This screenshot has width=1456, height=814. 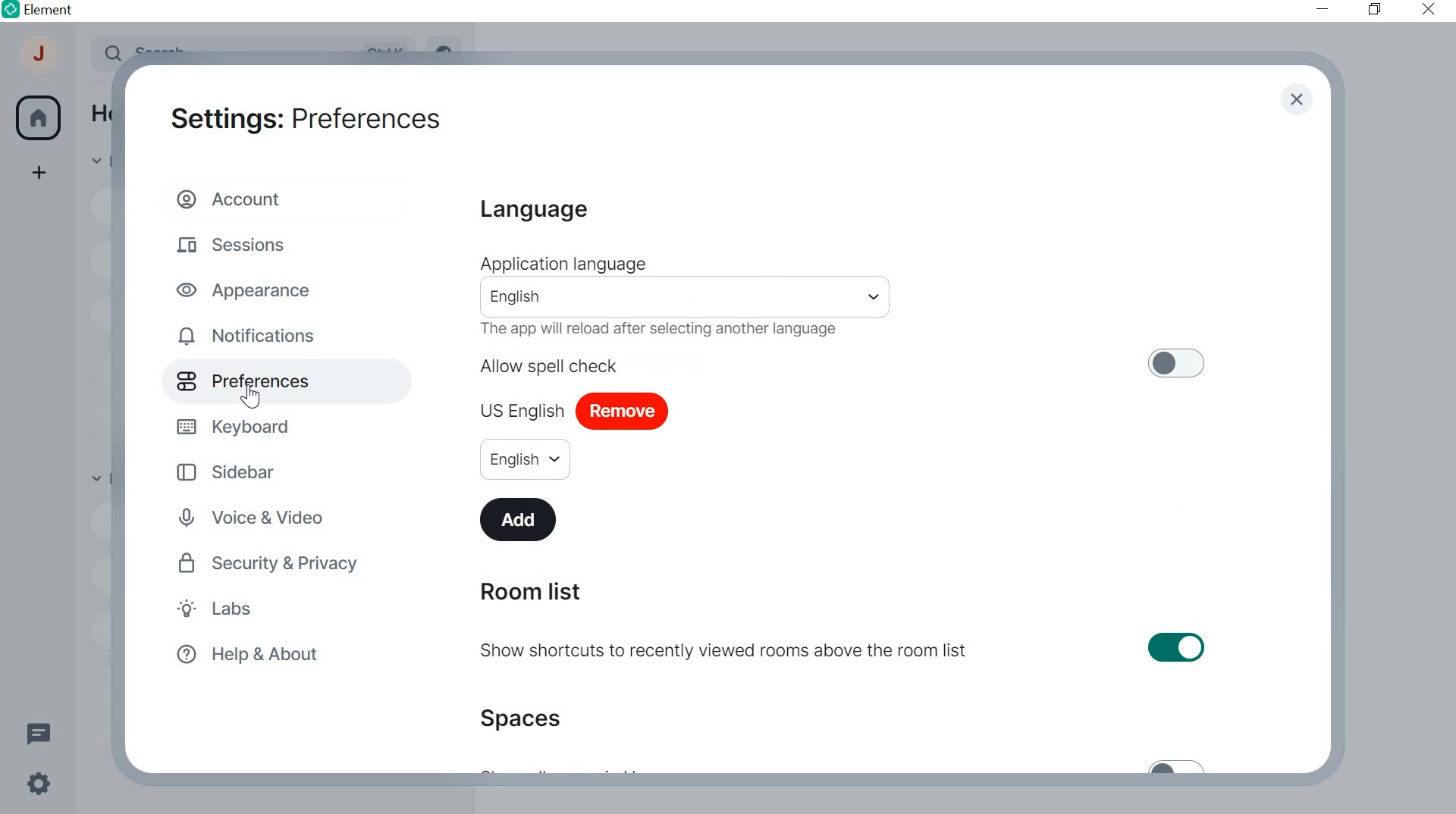 I want to click on settings, so click(x=36, y=787).